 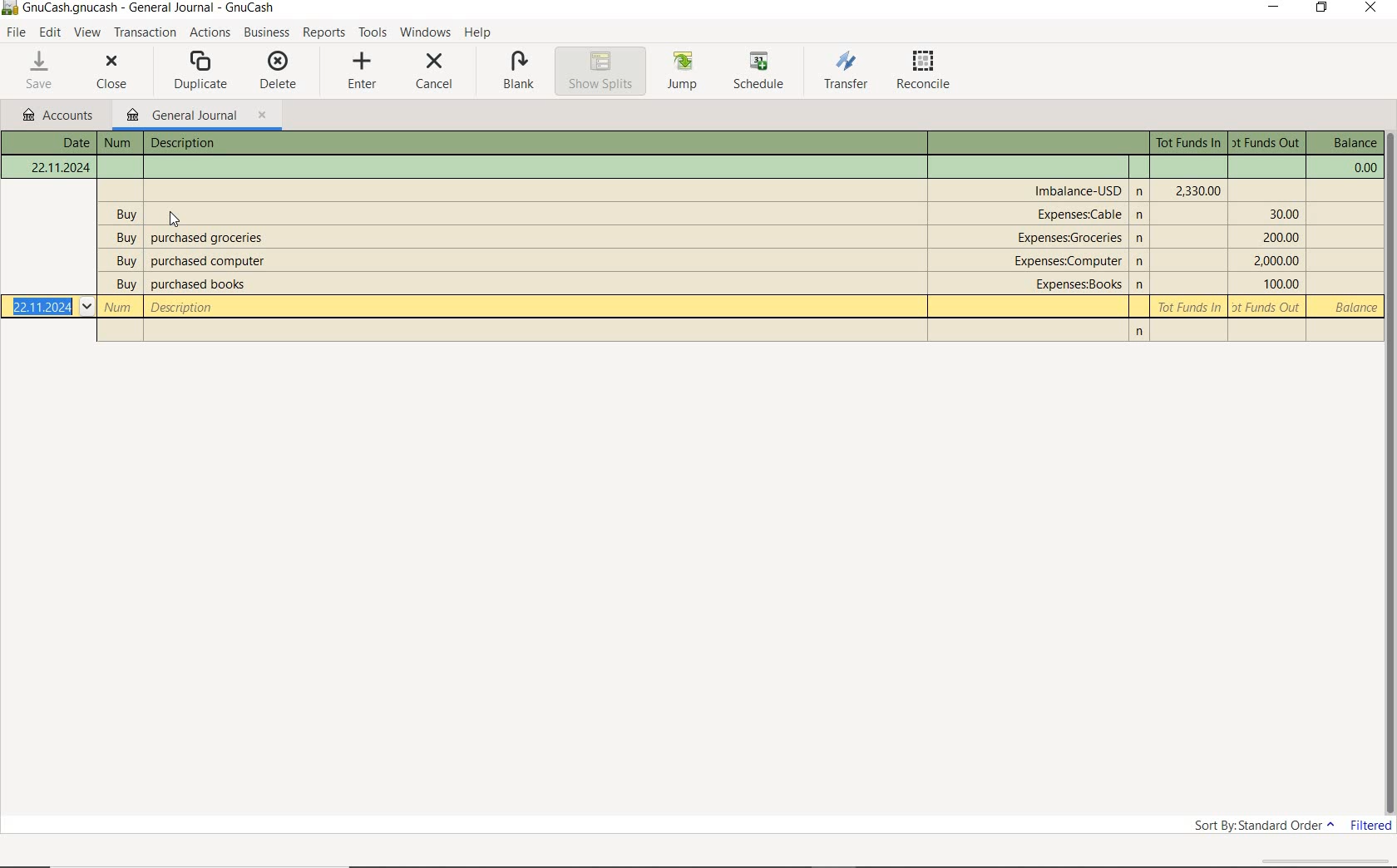 I want to click on cancel, so click(x=434, y=74).